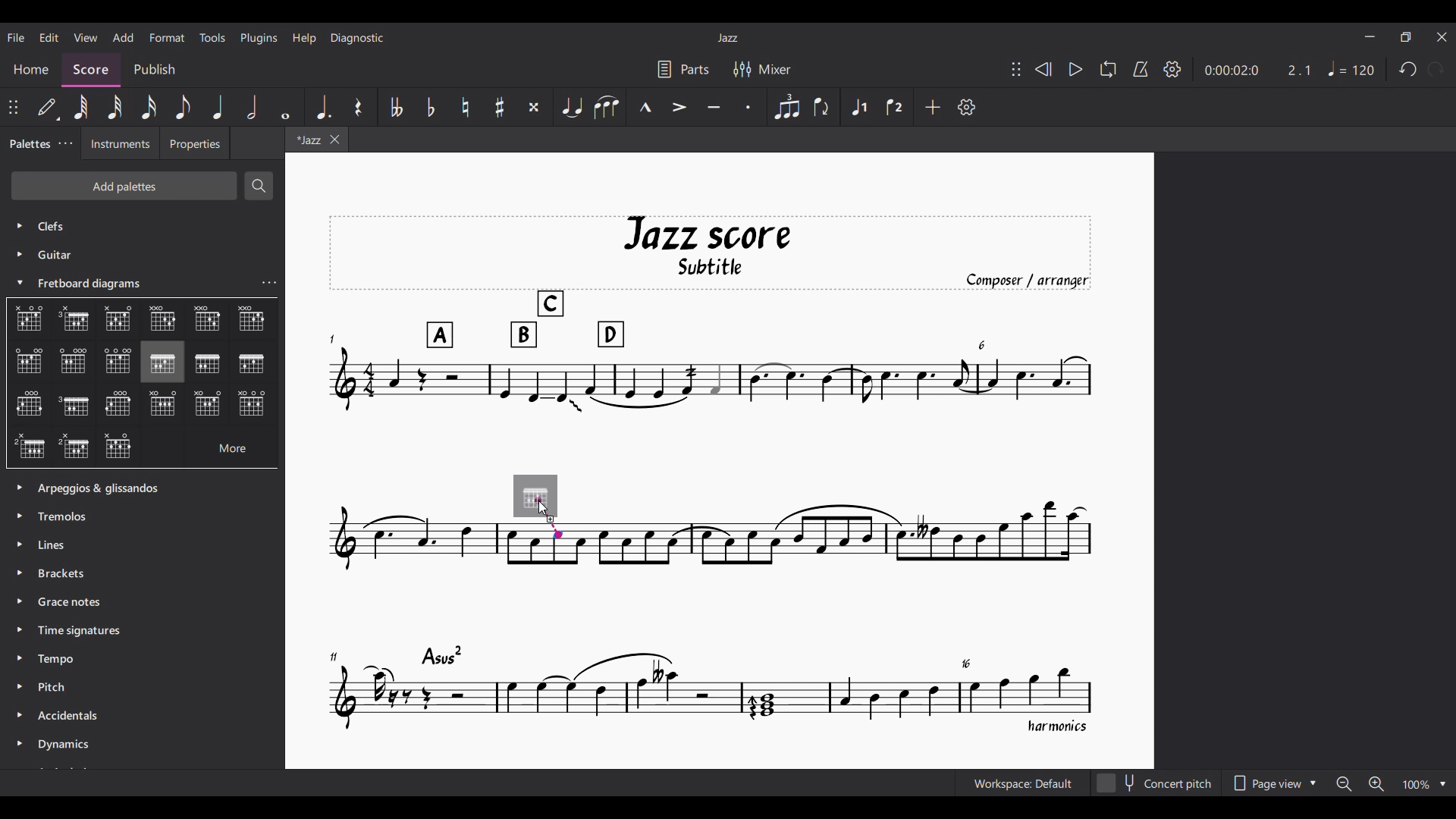 The height and width of the screenshot is (819, 1456). Describe the element at coordinates (49, 37) in the screenshot. I see `Edit menu` at that location.